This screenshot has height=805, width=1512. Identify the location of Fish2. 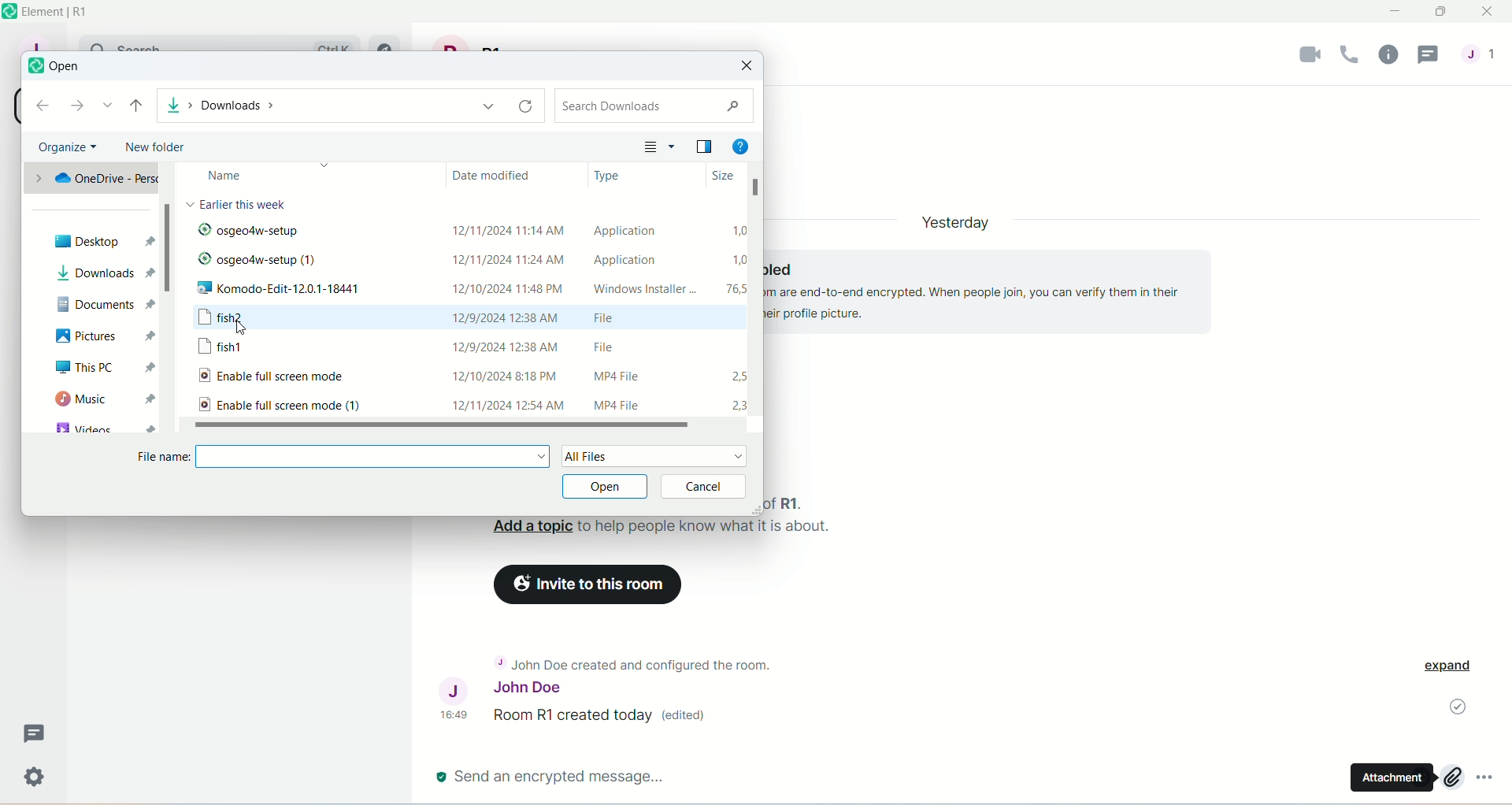
(250, 320).